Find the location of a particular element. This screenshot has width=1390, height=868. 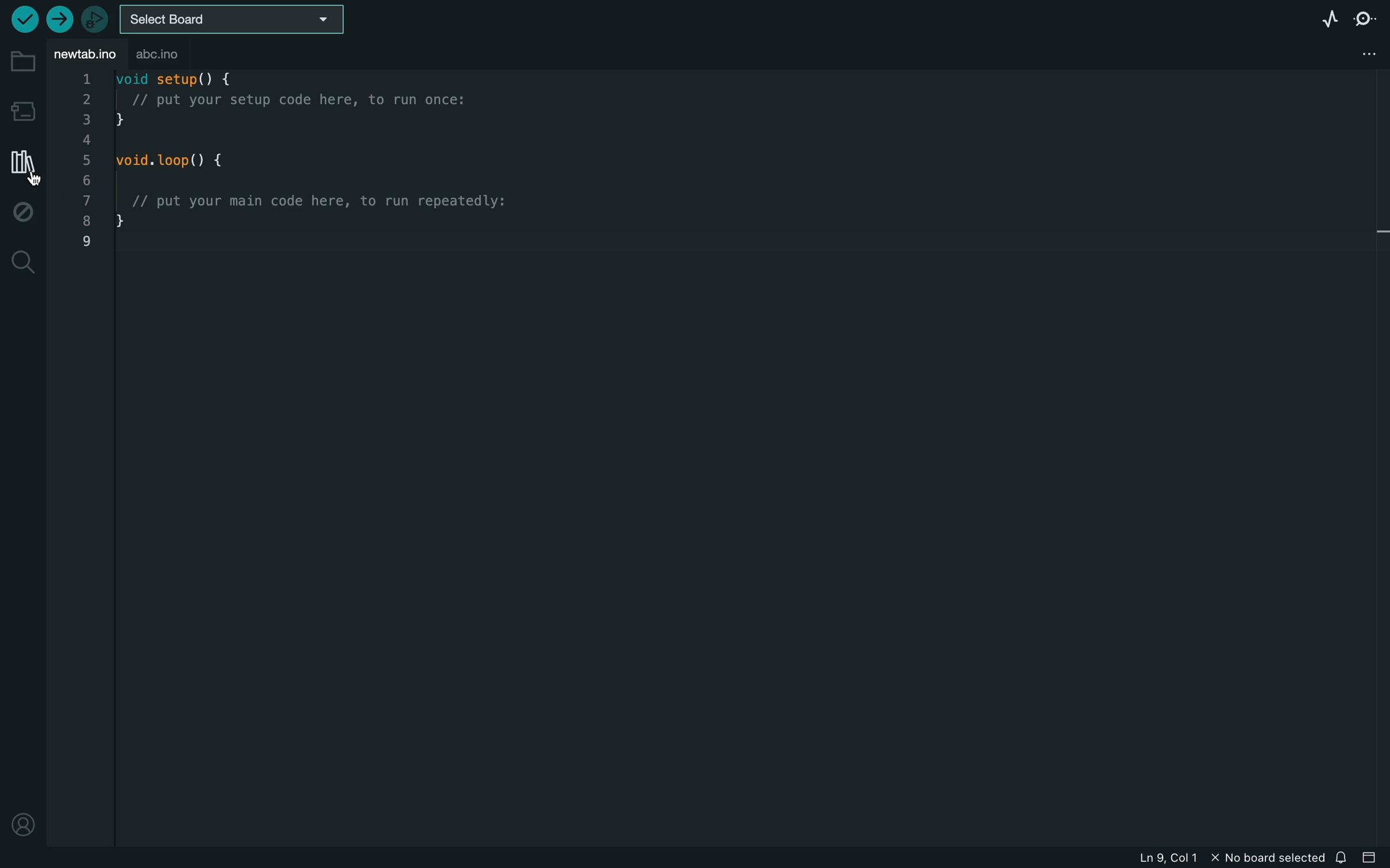

search is located at coordinates (22, 266).